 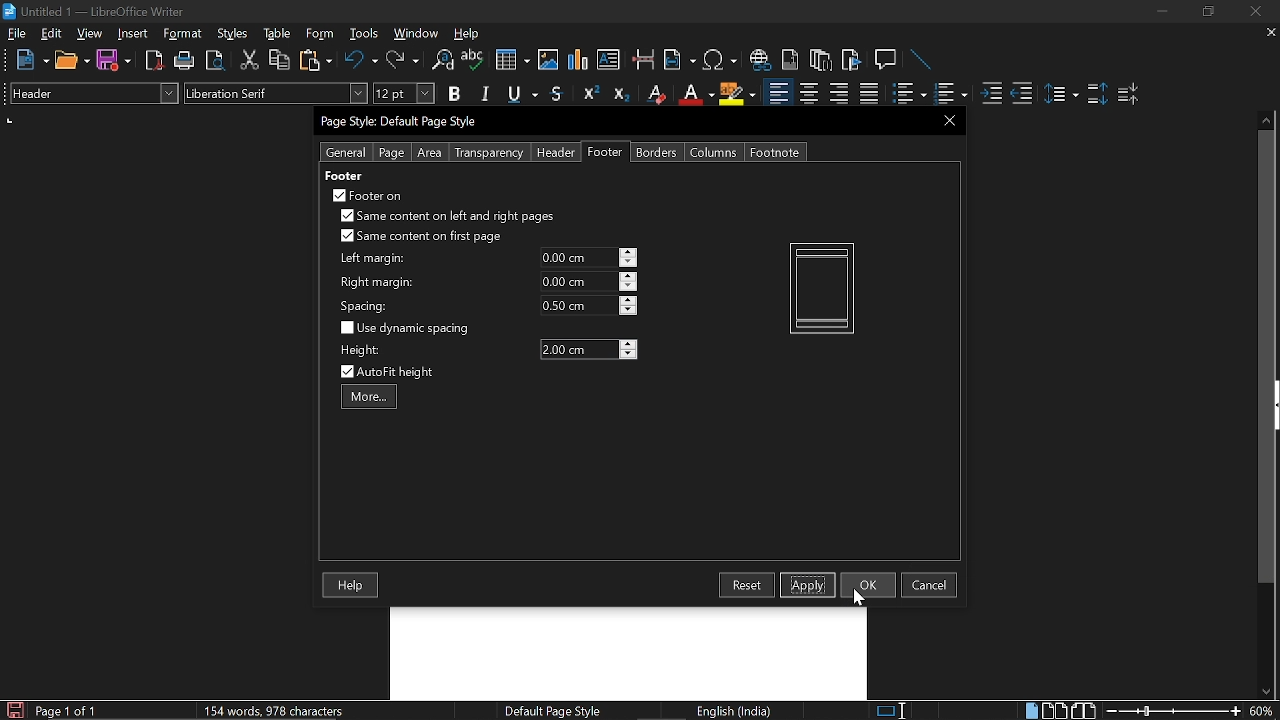 What do you see at coordinates (454, 96) in the screenshot?
I see `Bold` at bounding box center [454, 96].